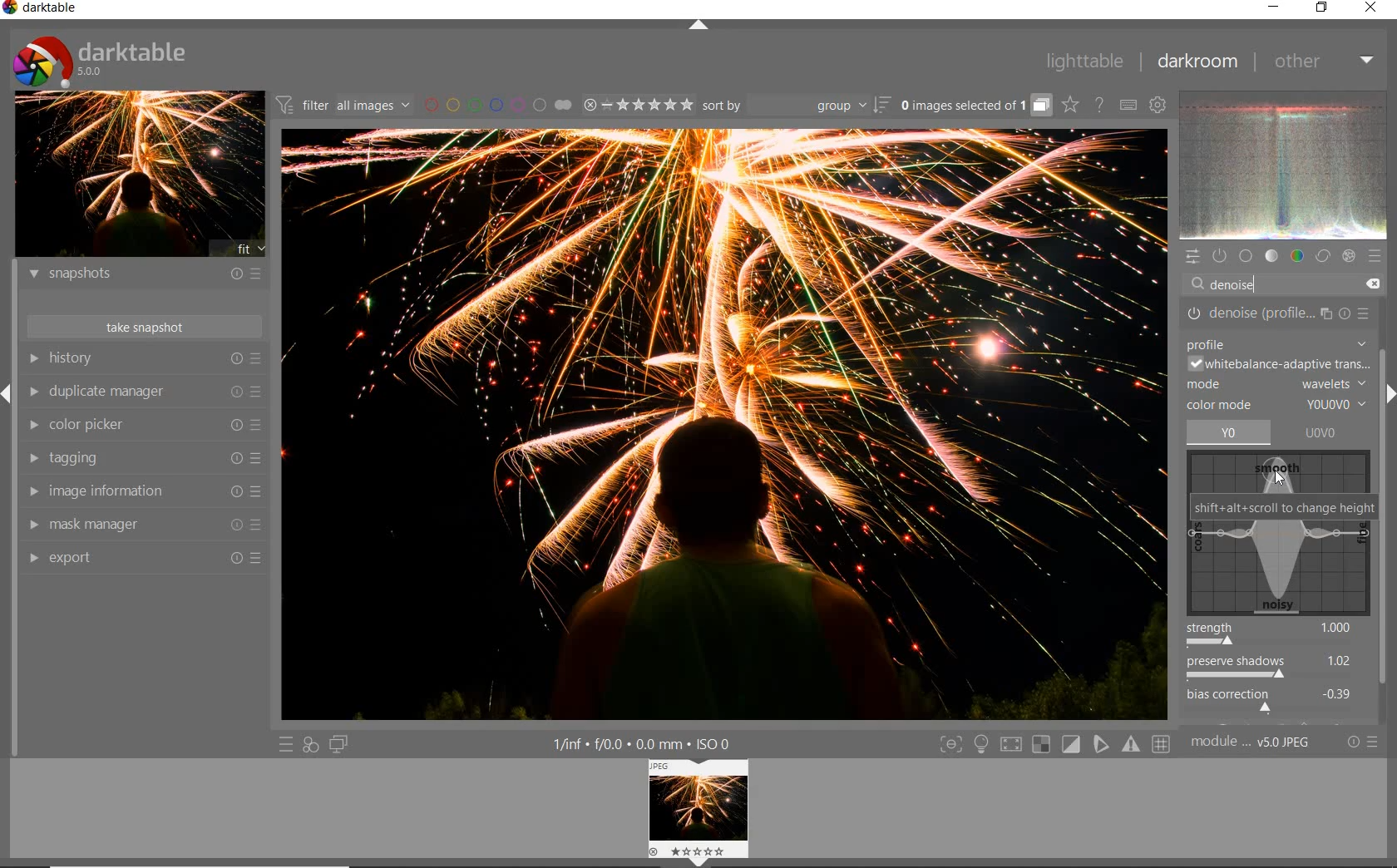  Describe the element at coordinates (1323, 257) in the screenshot. I see `correct` at that location.